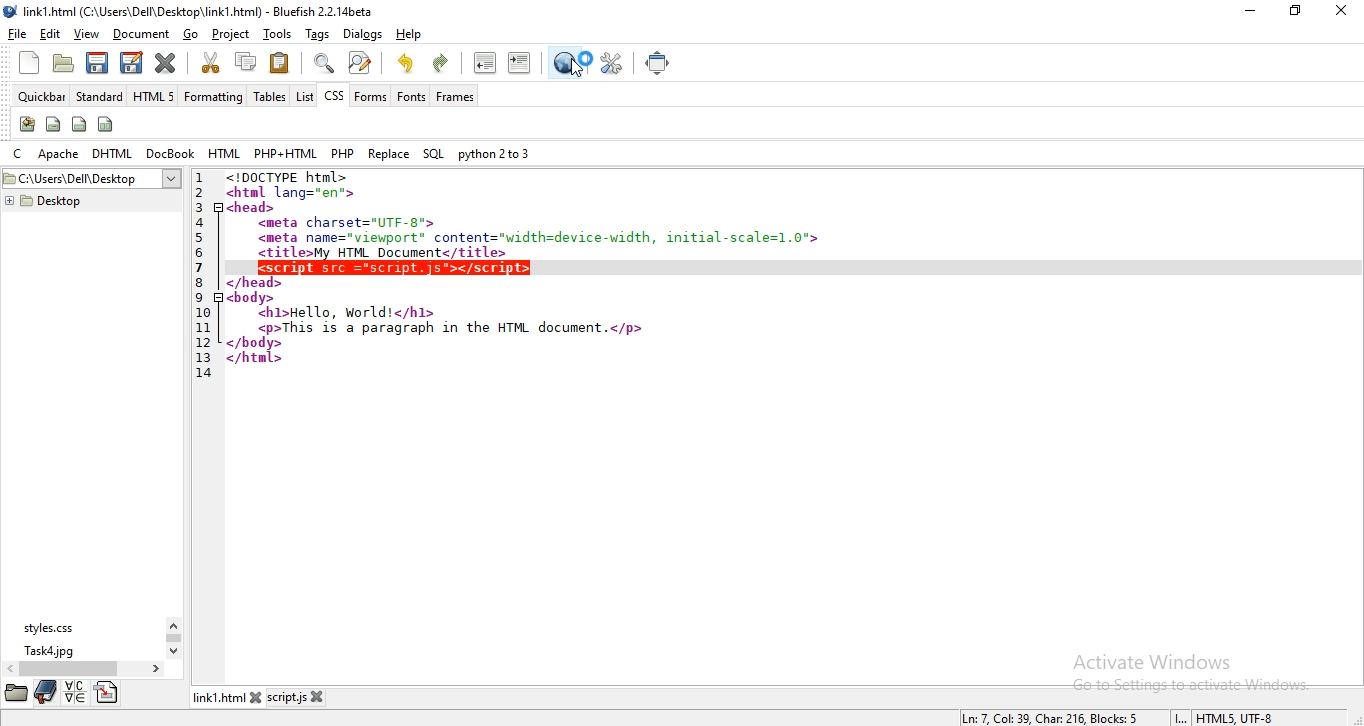  Describe the element at coordinates (1340, 11) in the screenshot. I see `close` at that location.